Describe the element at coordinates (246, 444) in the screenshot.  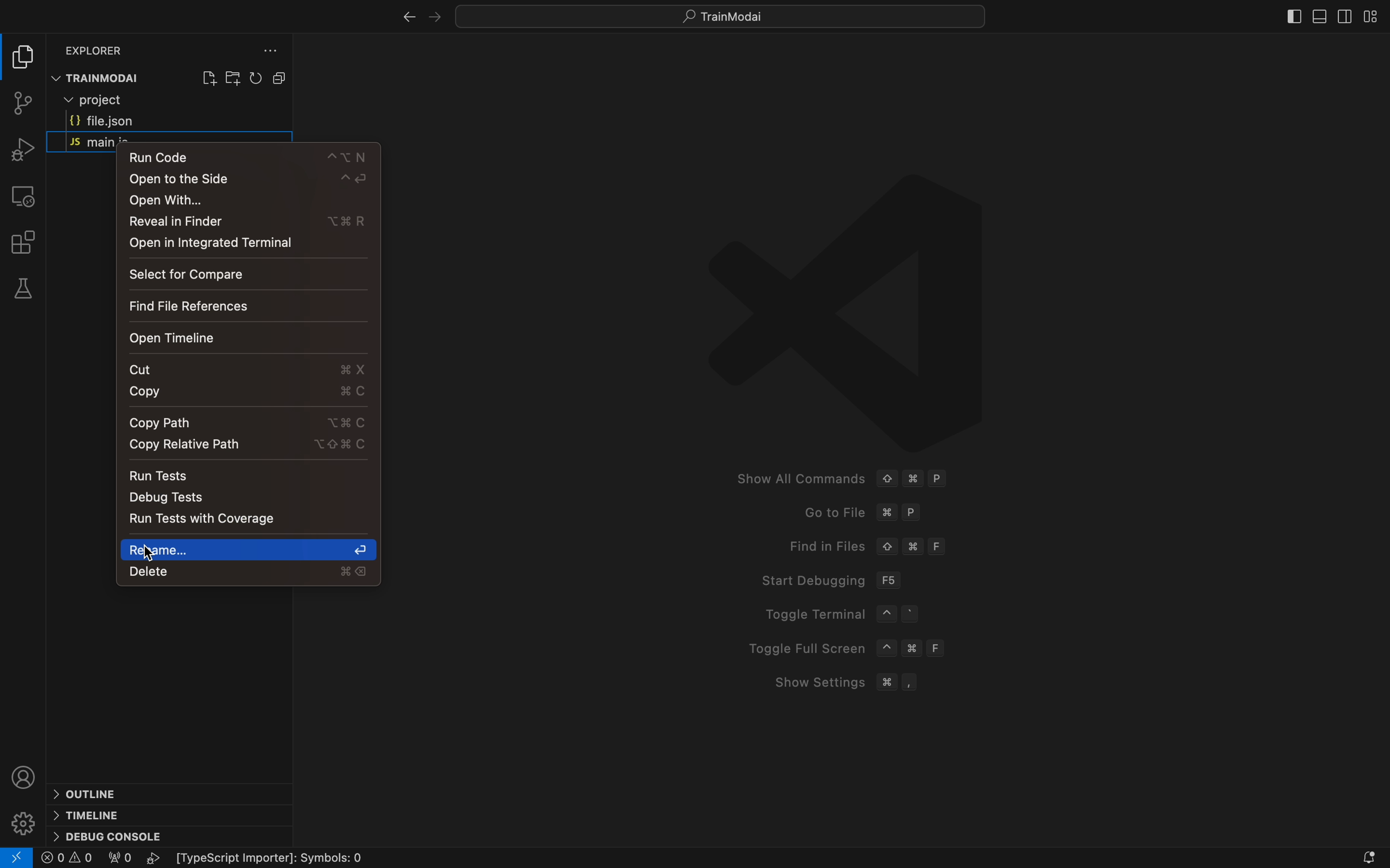
I see `copy relative path` at that location.